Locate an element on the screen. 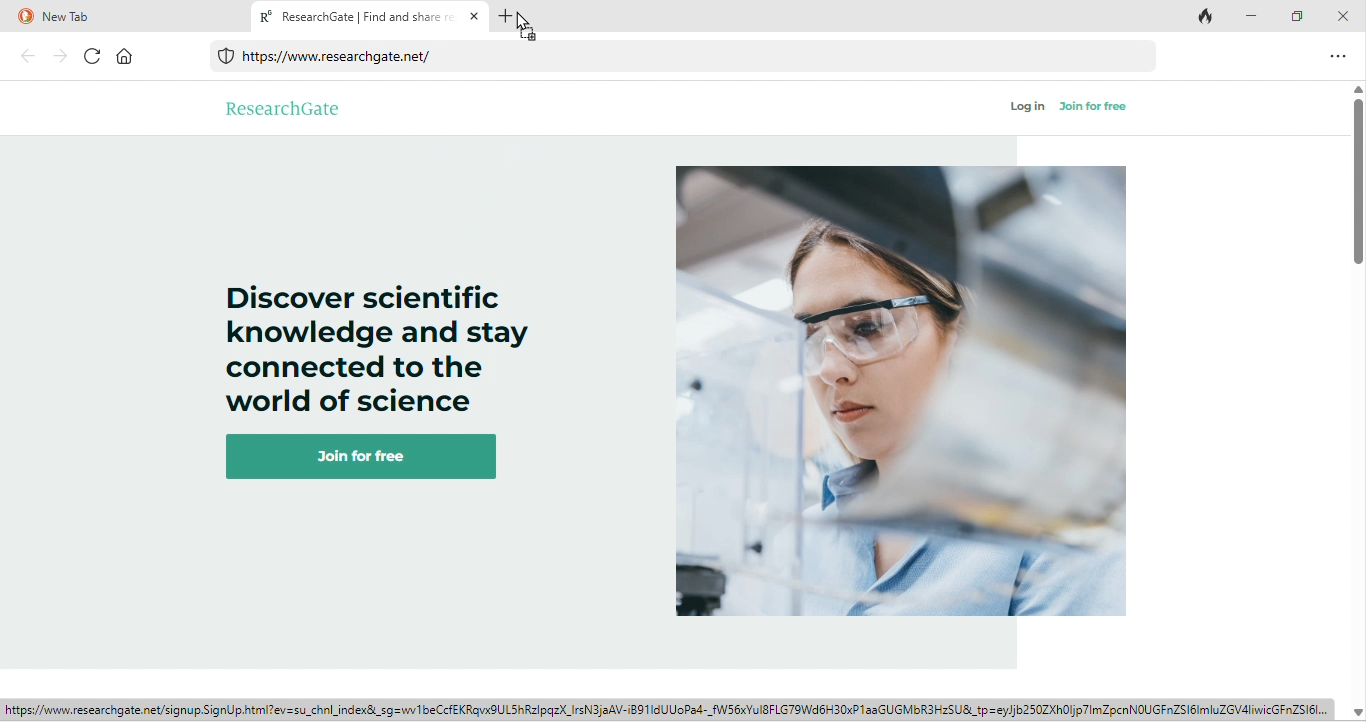 The width and height of the screenshot is (1366, 722). log in is located at coordinates (1028, 107).